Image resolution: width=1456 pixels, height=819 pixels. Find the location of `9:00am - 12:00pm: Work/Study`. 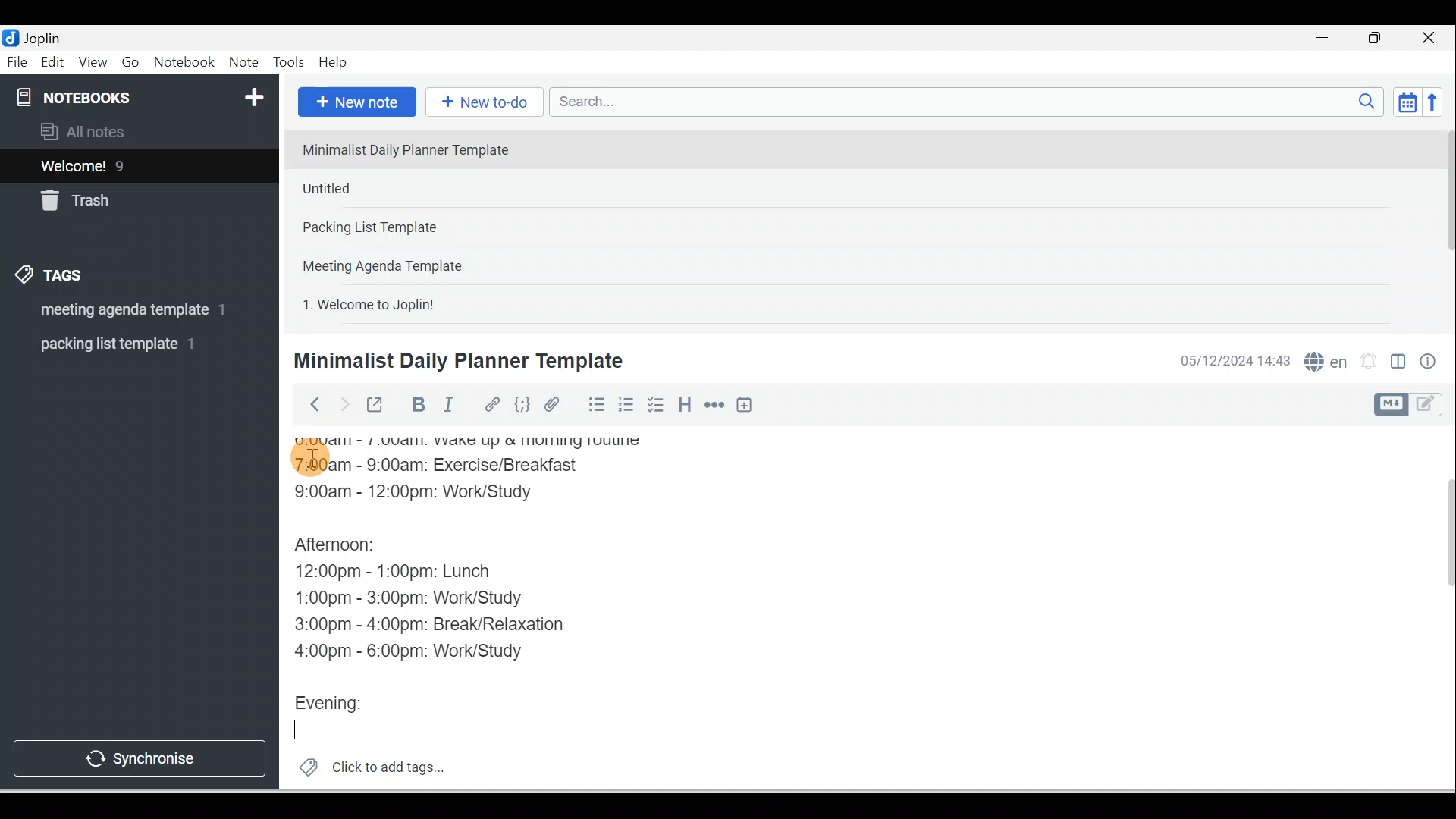

9:00am - 12:00pm: Work/Study is located at coordinates (430, 494).